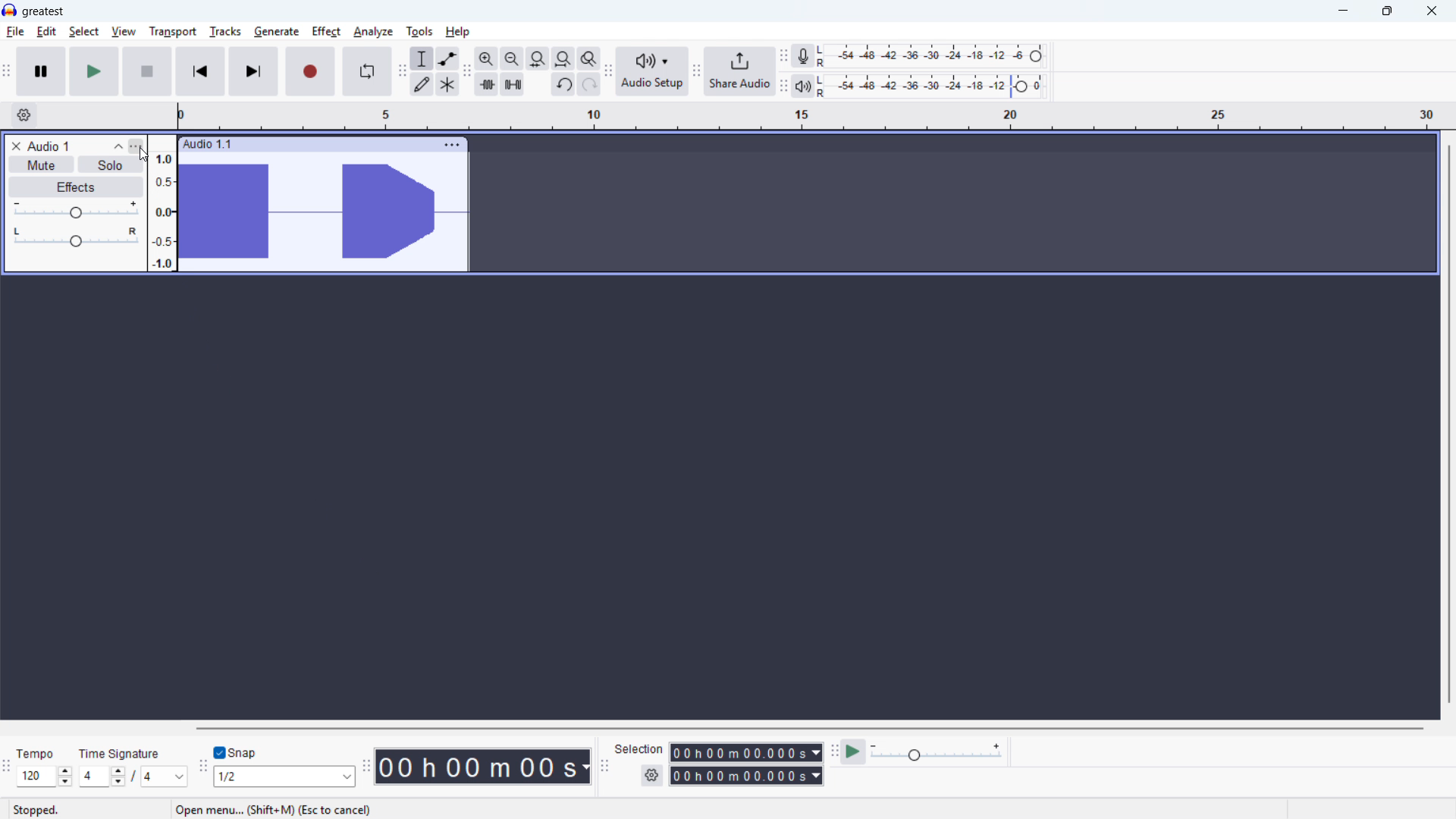  I want to click on open menu... (shift + M) (esc to cancel), so click(273, 810).